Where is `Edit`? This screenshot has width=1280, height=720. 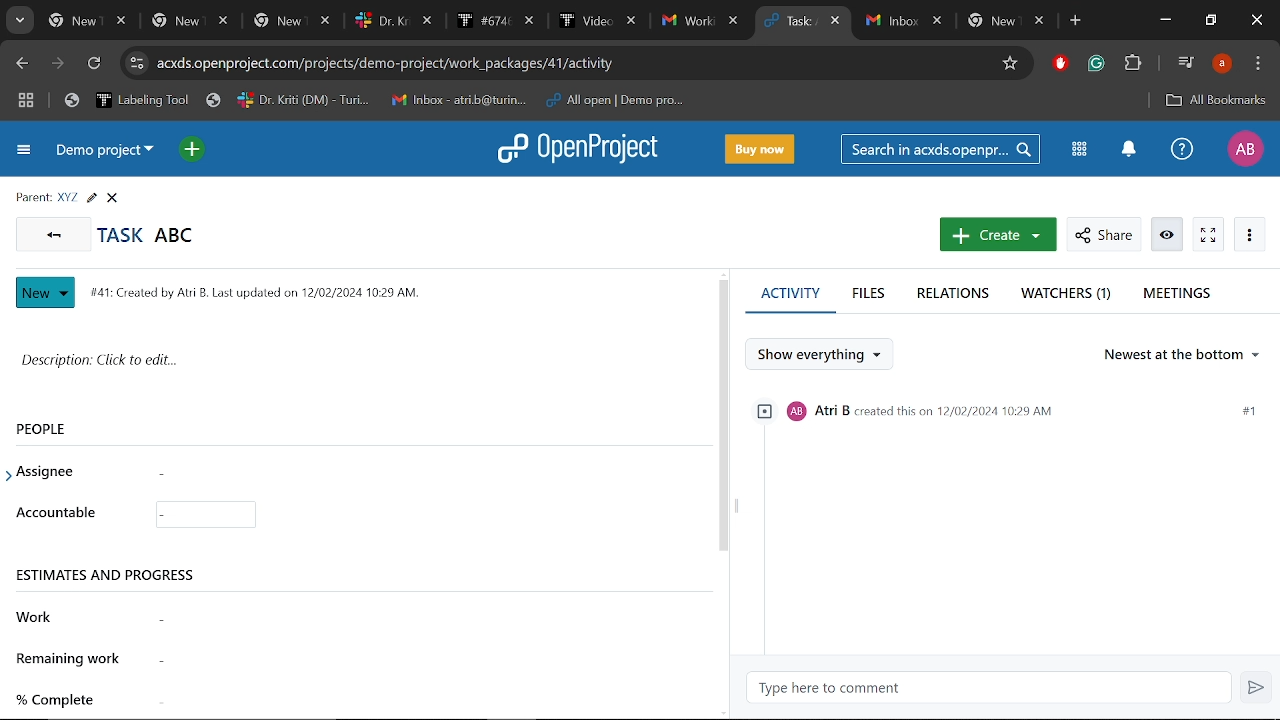 Edit is located at coordinates (91, 199).